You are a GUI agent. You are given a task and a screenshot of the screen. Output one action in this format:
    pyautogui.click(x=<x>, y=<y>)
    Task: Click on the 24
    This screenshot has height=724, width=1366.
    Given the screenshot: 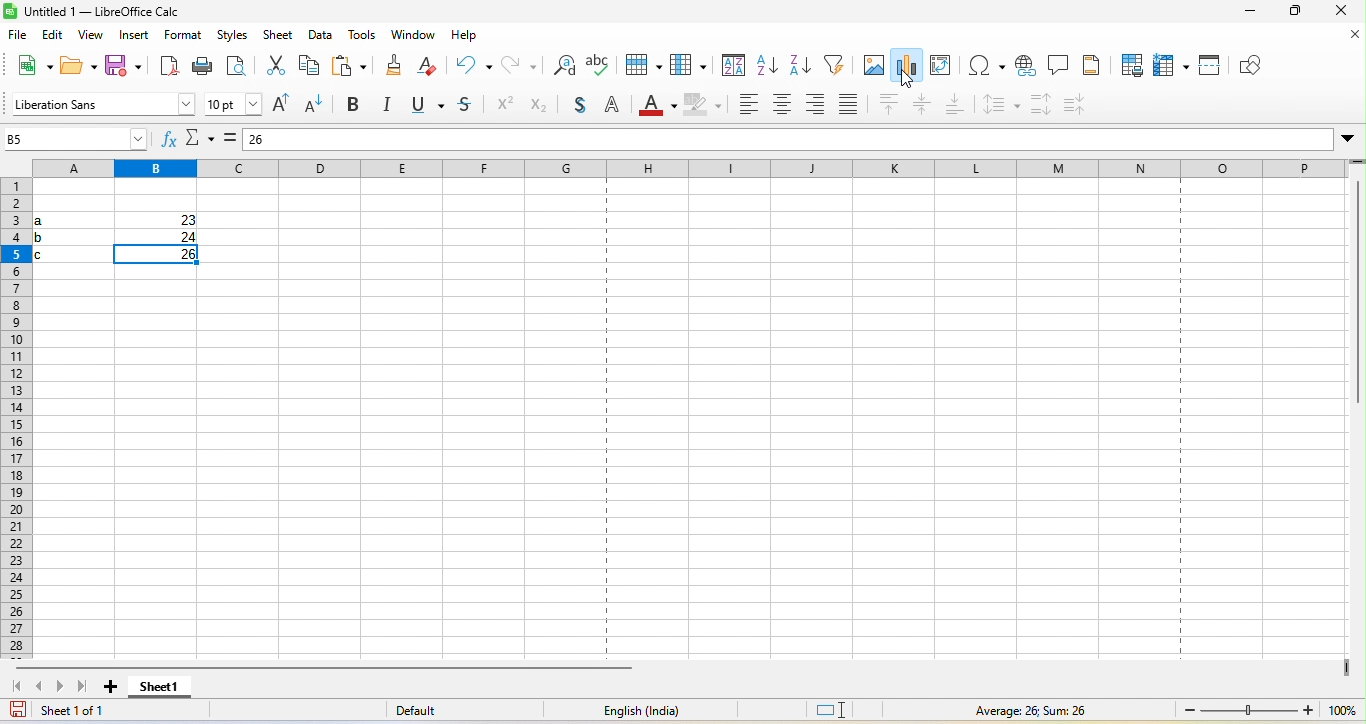 What is the action you would take?
    pyautogui.click(x=182, y=237)
    